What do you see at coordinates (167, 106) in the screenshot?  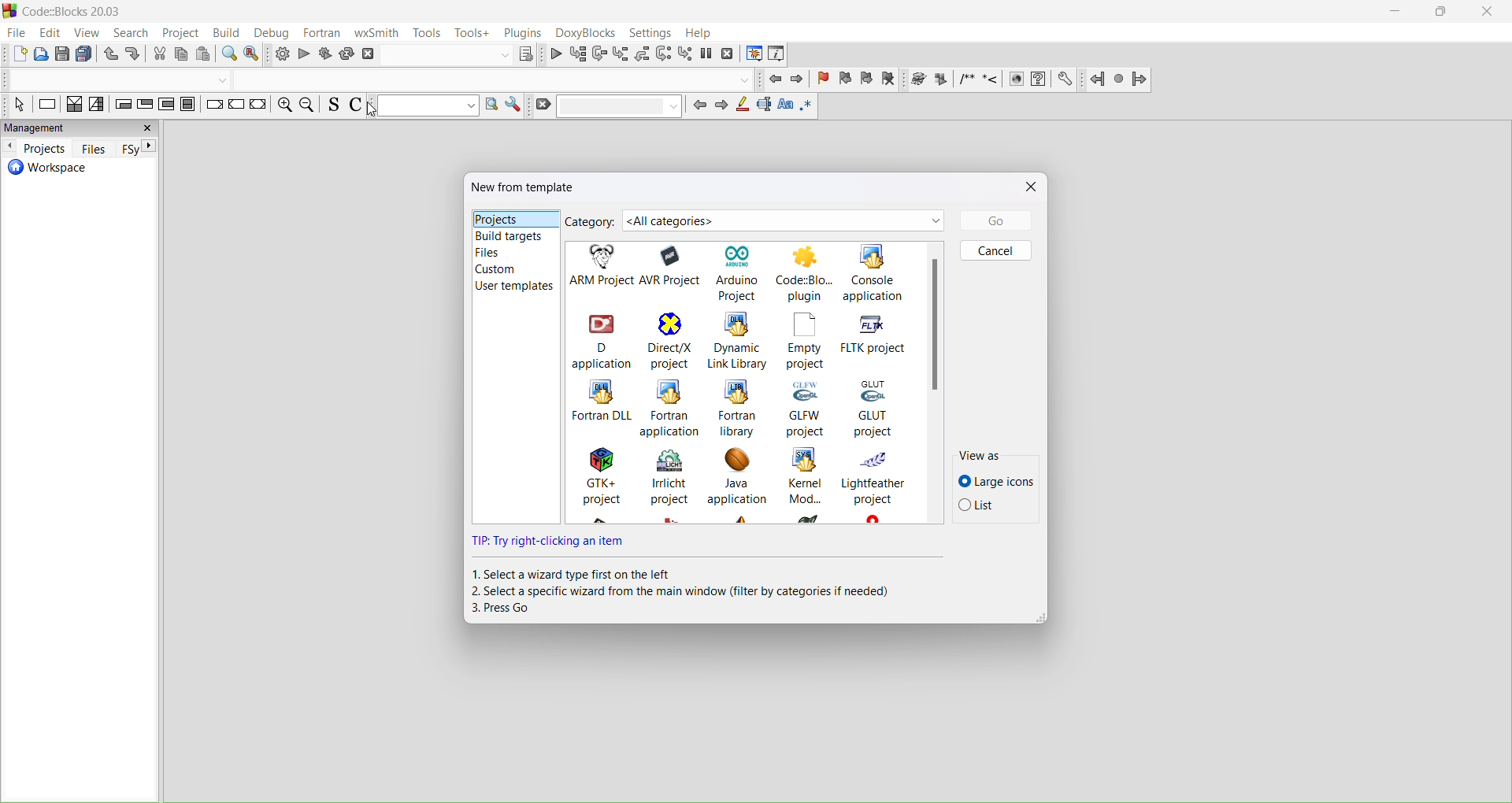 I see `counting loop` at bounding box center [167, 106].